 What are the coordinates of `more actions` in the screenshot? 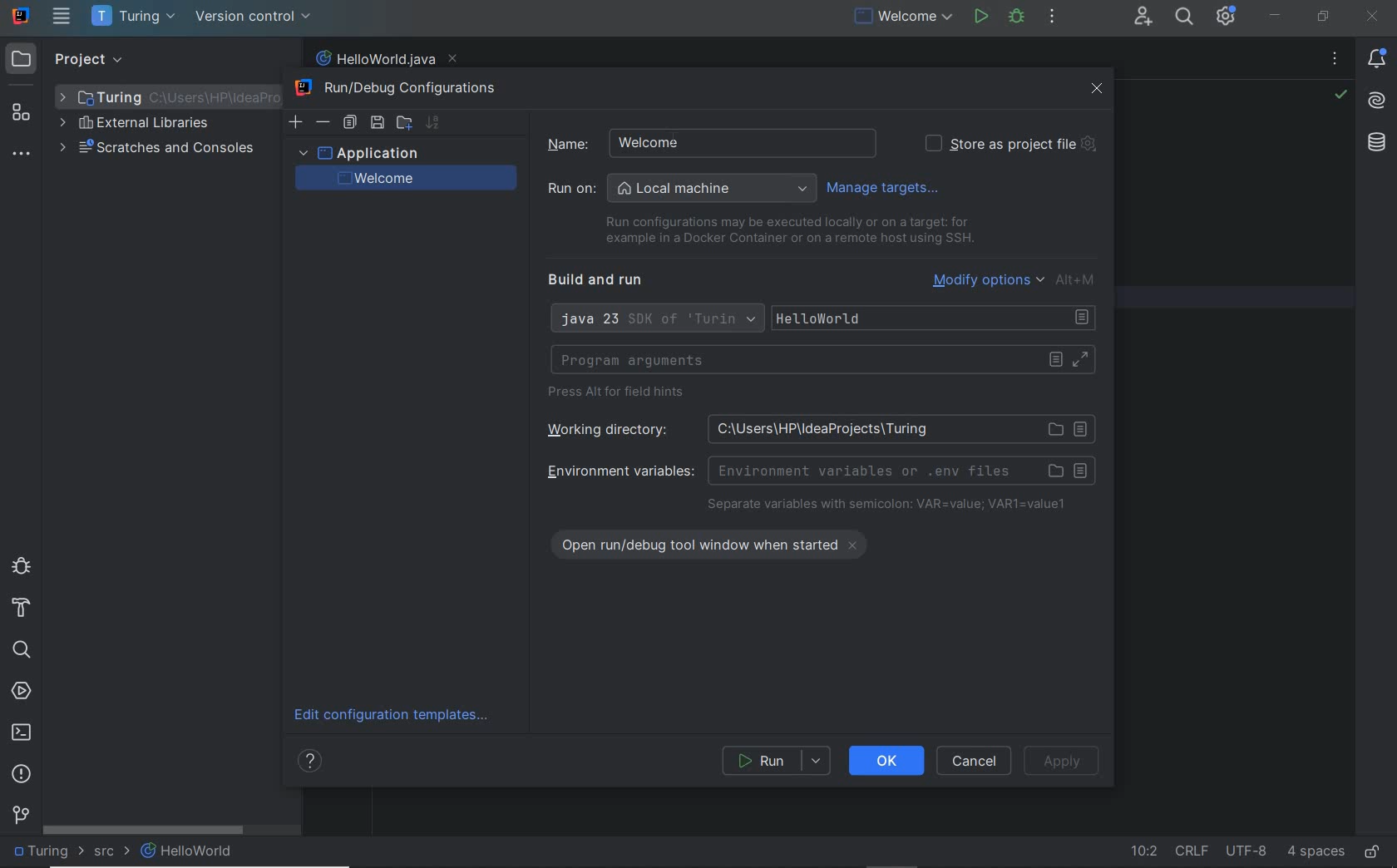 It's located at (1052, 17).